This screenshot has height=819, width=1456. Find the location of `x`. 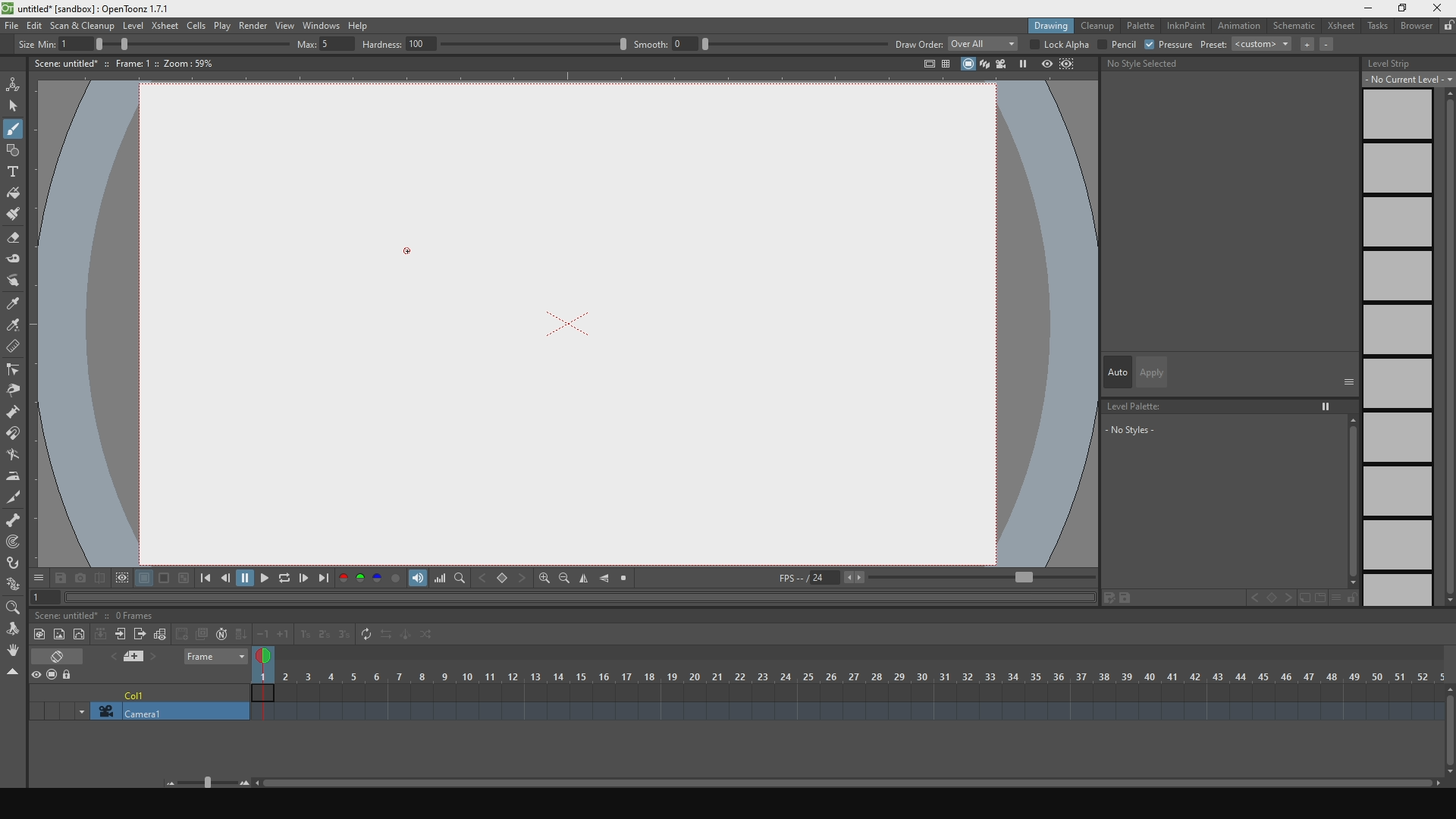

x is located at coordinates (571, 323).